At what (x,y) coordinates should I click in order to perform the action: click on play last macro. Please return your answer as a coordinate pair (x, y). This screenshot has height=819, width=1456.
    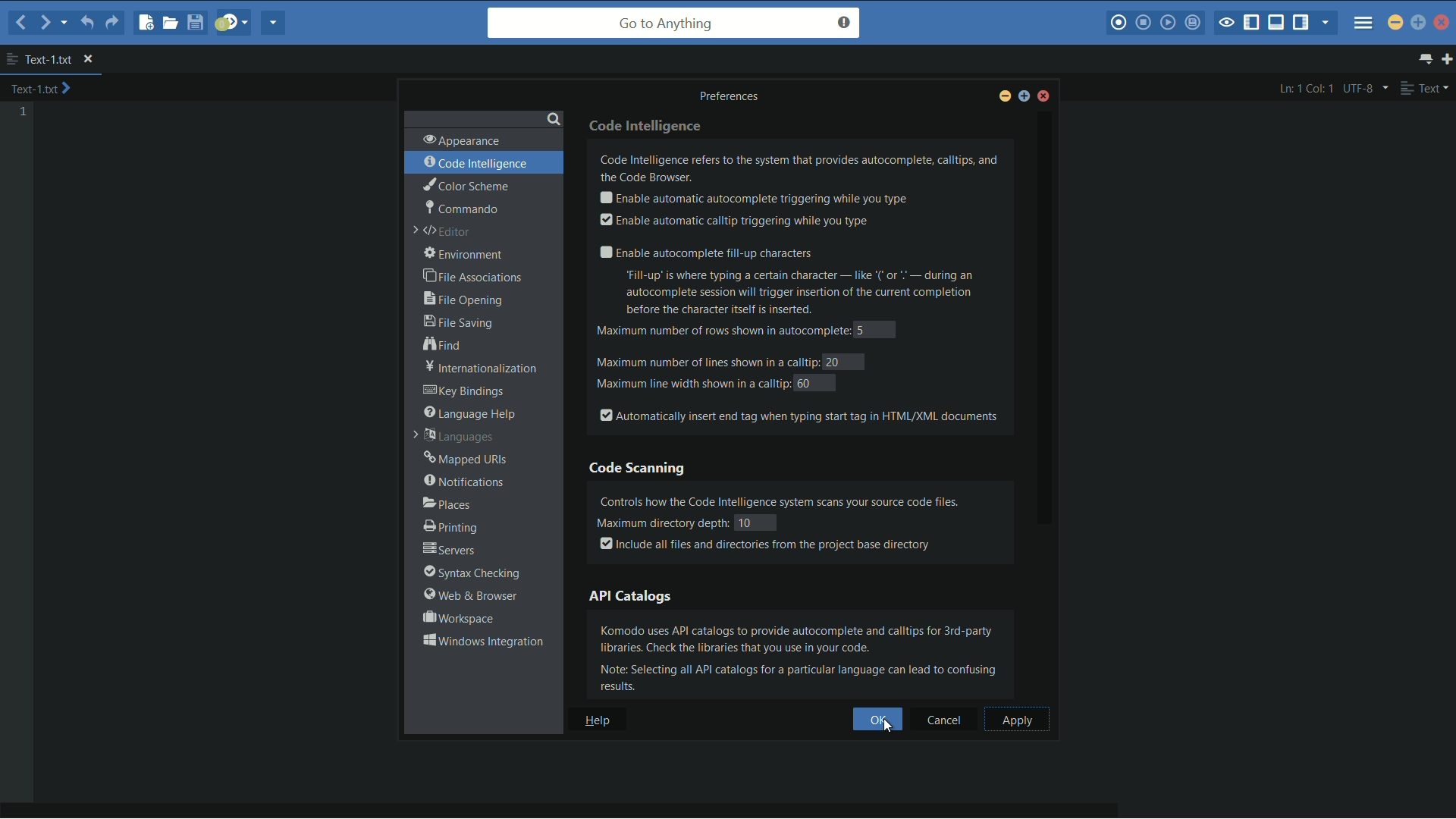
    Looking at the image, I should click on (1167, 23).